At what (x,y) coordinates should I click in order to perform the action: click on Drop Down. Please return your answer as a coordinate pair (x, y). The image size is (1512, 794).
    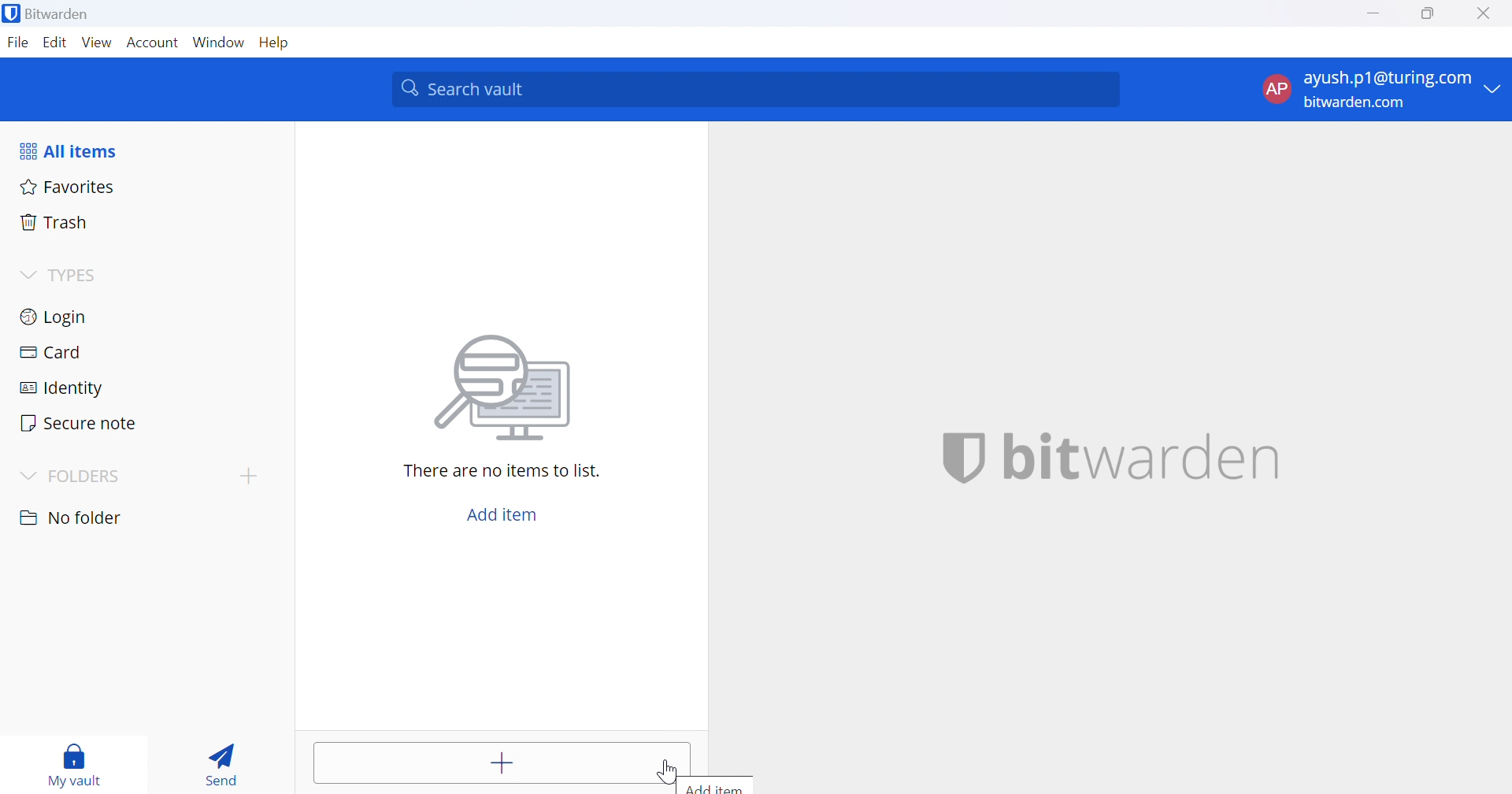
    Looking at the image, I should click on (27, 273).